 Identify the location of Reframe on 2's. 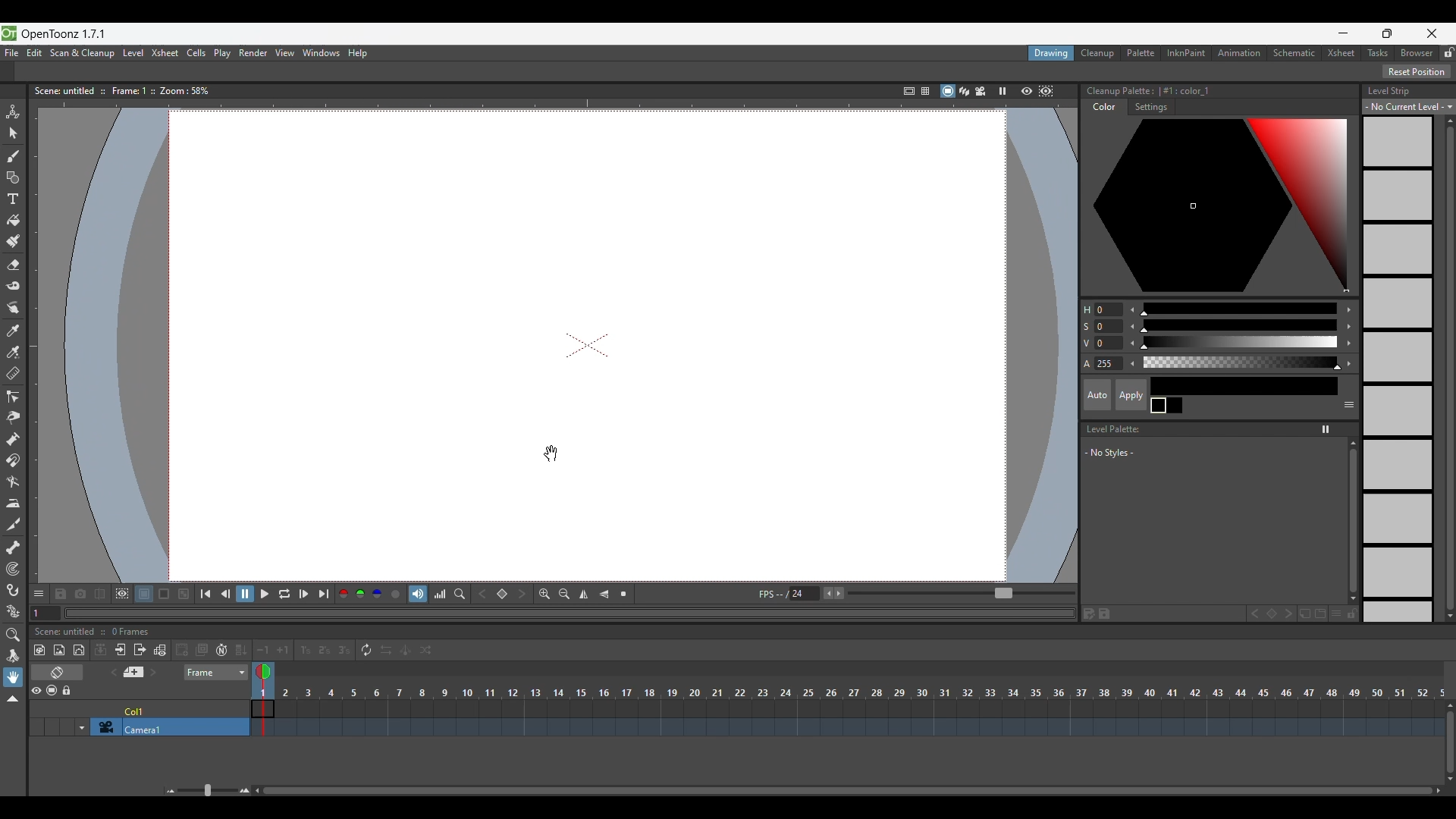
(325, 650).